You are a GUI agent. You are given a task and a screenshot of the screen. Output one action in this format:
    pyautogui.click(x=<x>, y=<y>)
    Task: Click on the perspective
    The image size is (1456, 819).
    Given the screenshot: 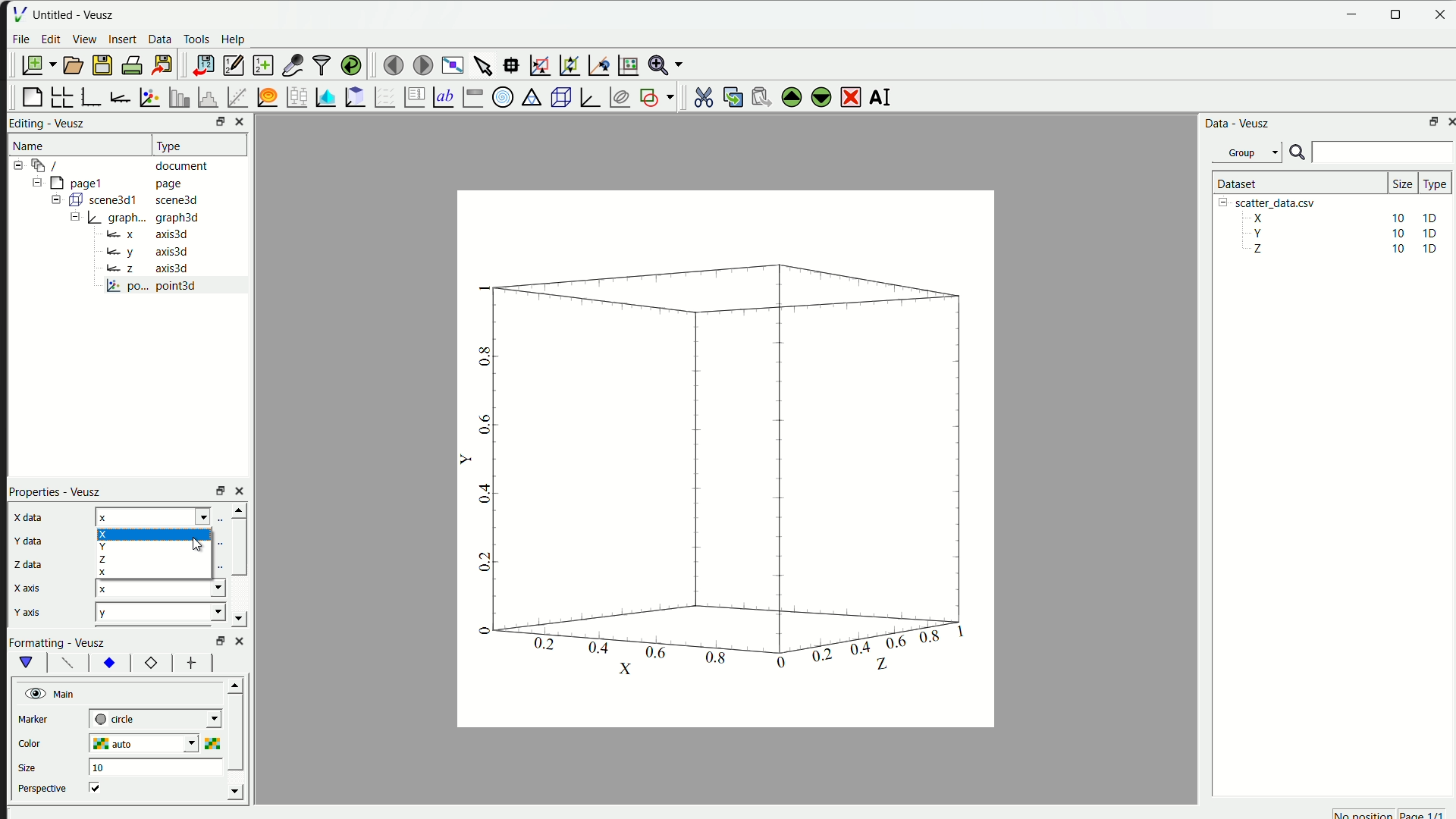 What is the action you would take?
    pyautogui.click(x=42, y=789)
    